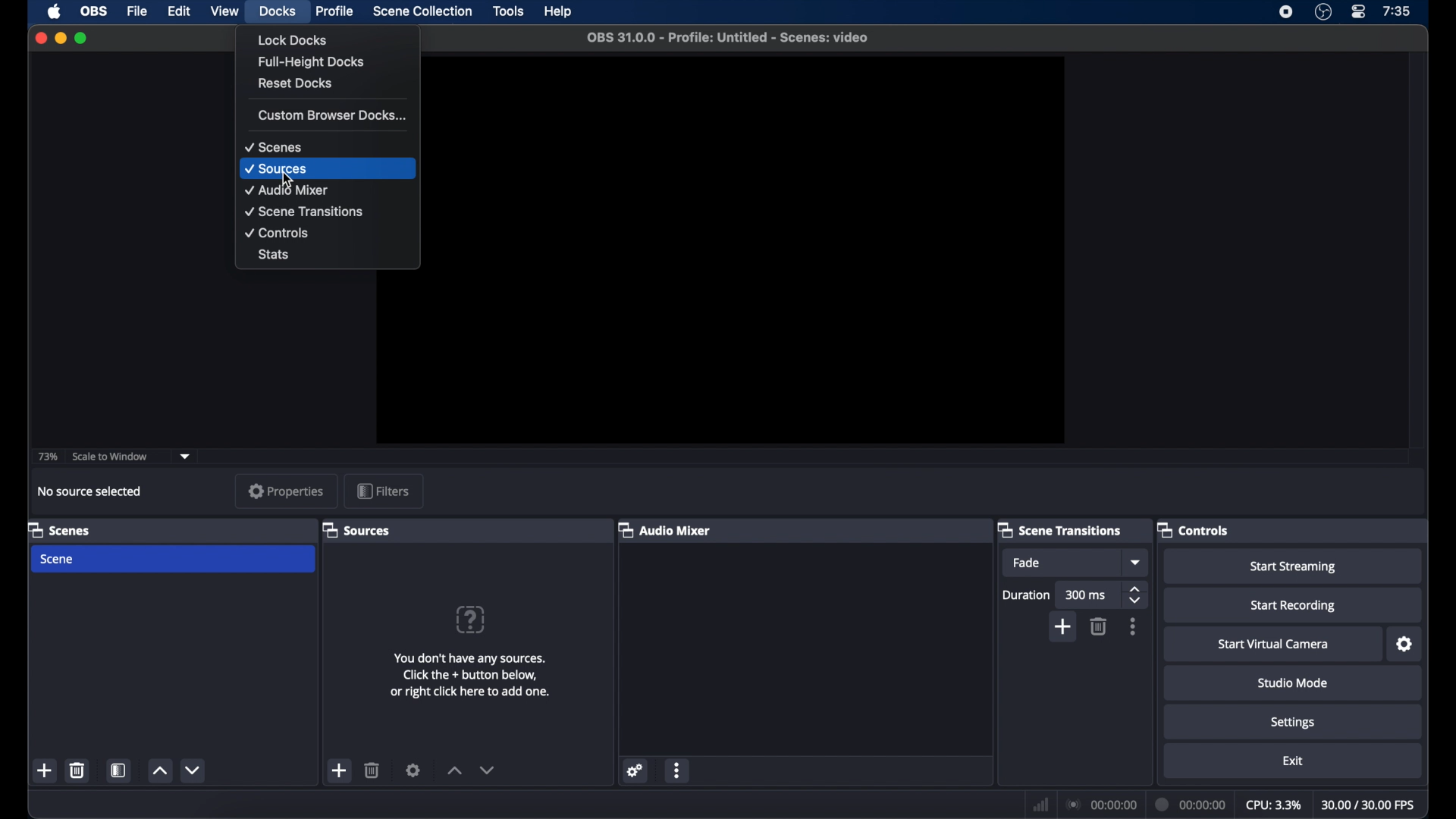 Image resolution: width=1456 pixels, height=819 pixels. I want to click on decrement, so click(490, 770).